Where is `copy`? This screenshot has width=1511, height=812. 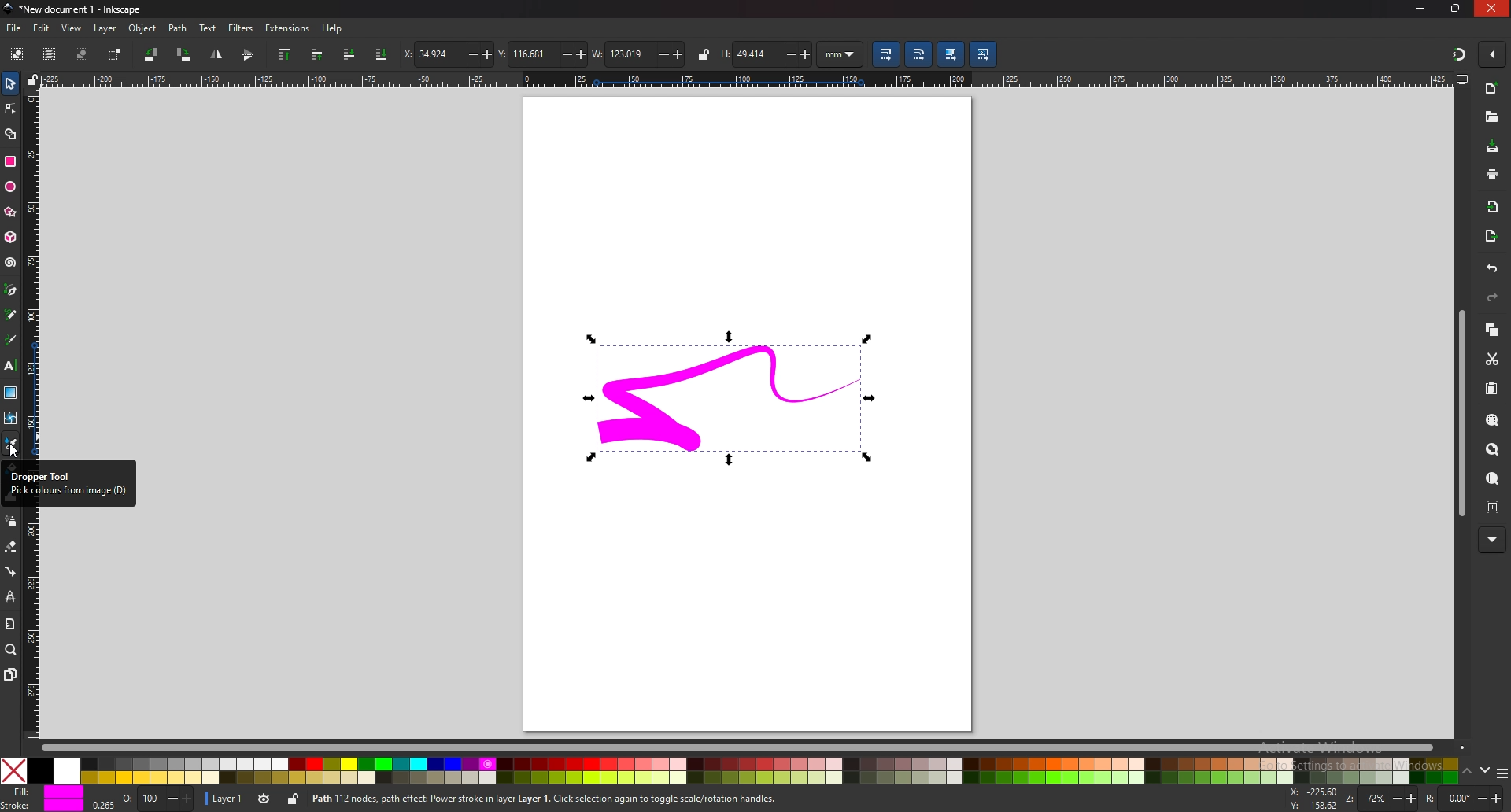
copy is located at coordinates (1494, 330).